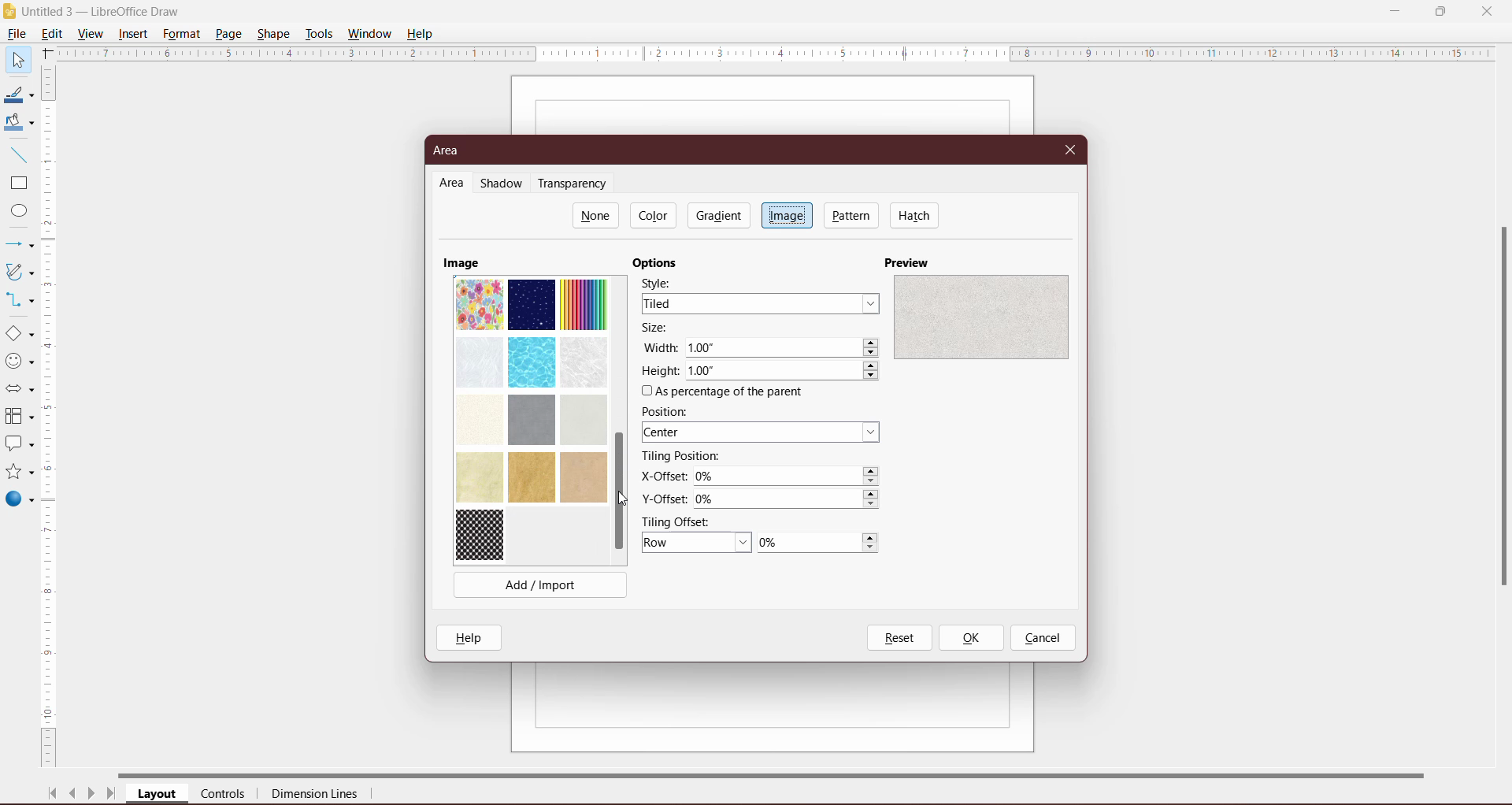 The width and height of the screenshot is (1512, 805). Describe the element at coordinates (19, 501) in the screenshot. I see `3D objects` at that location.